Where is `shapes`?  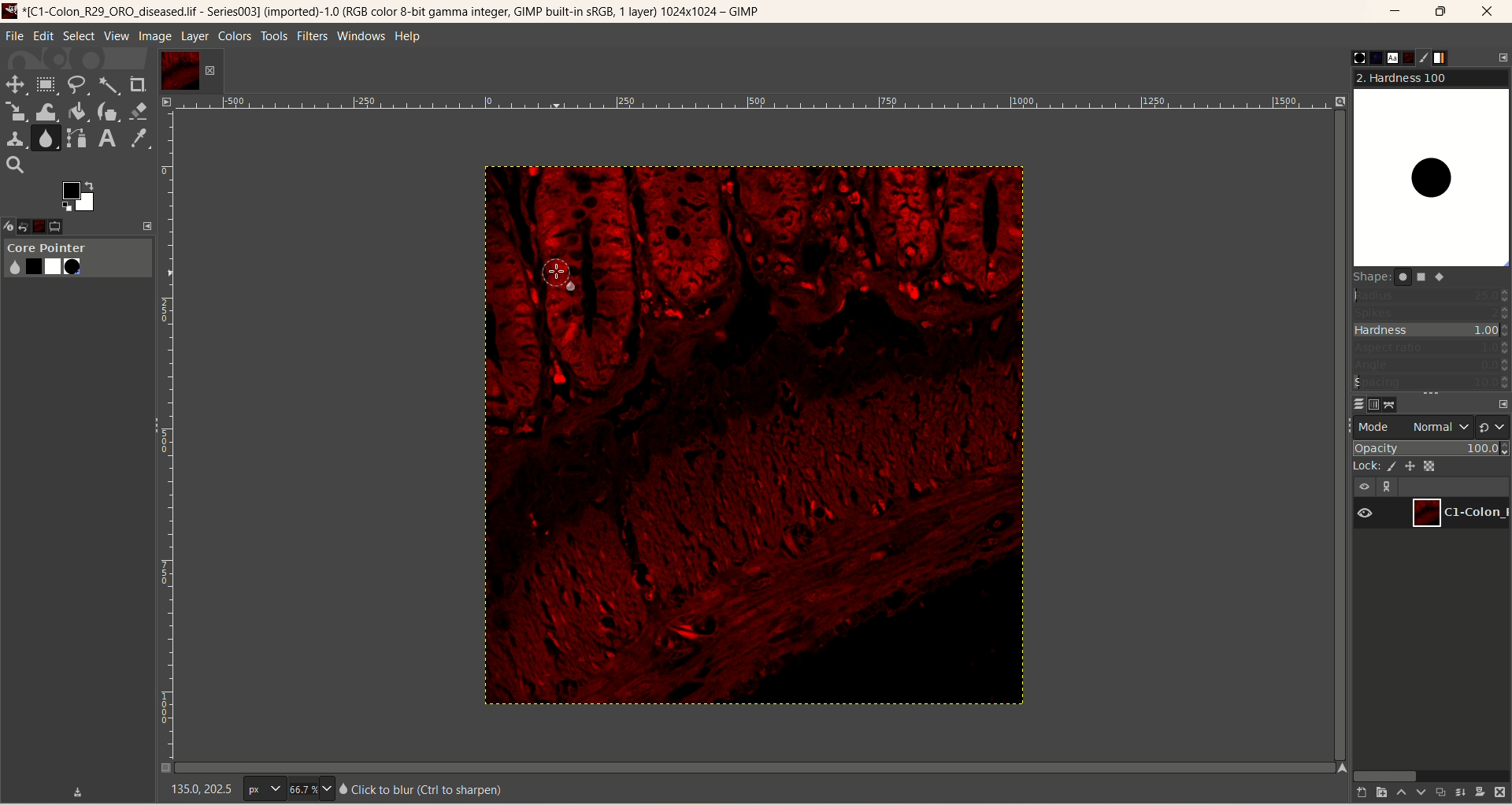 shapes is located at coordinates (1408, 280).